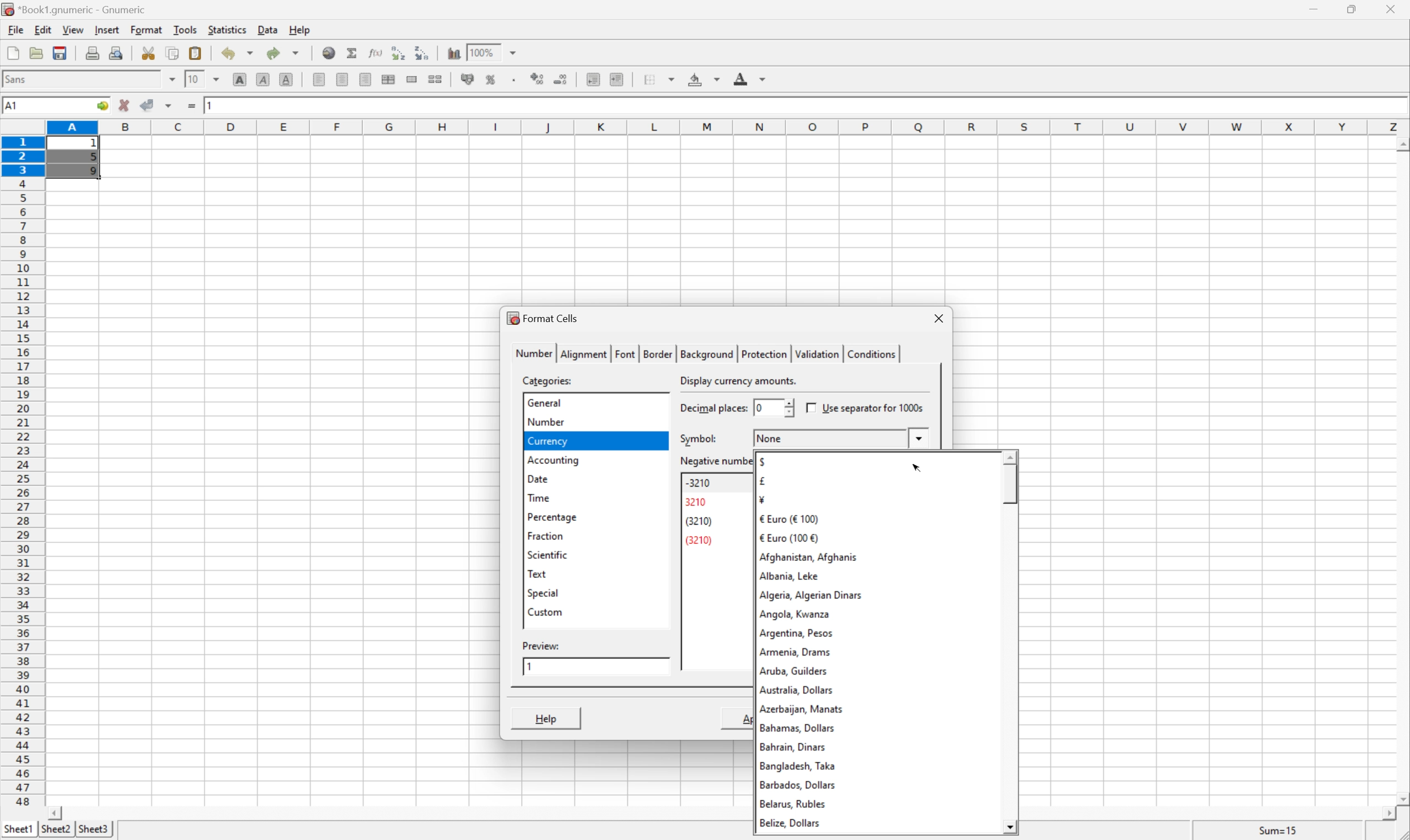  I want to click on scroll down, so click(1401, 798).